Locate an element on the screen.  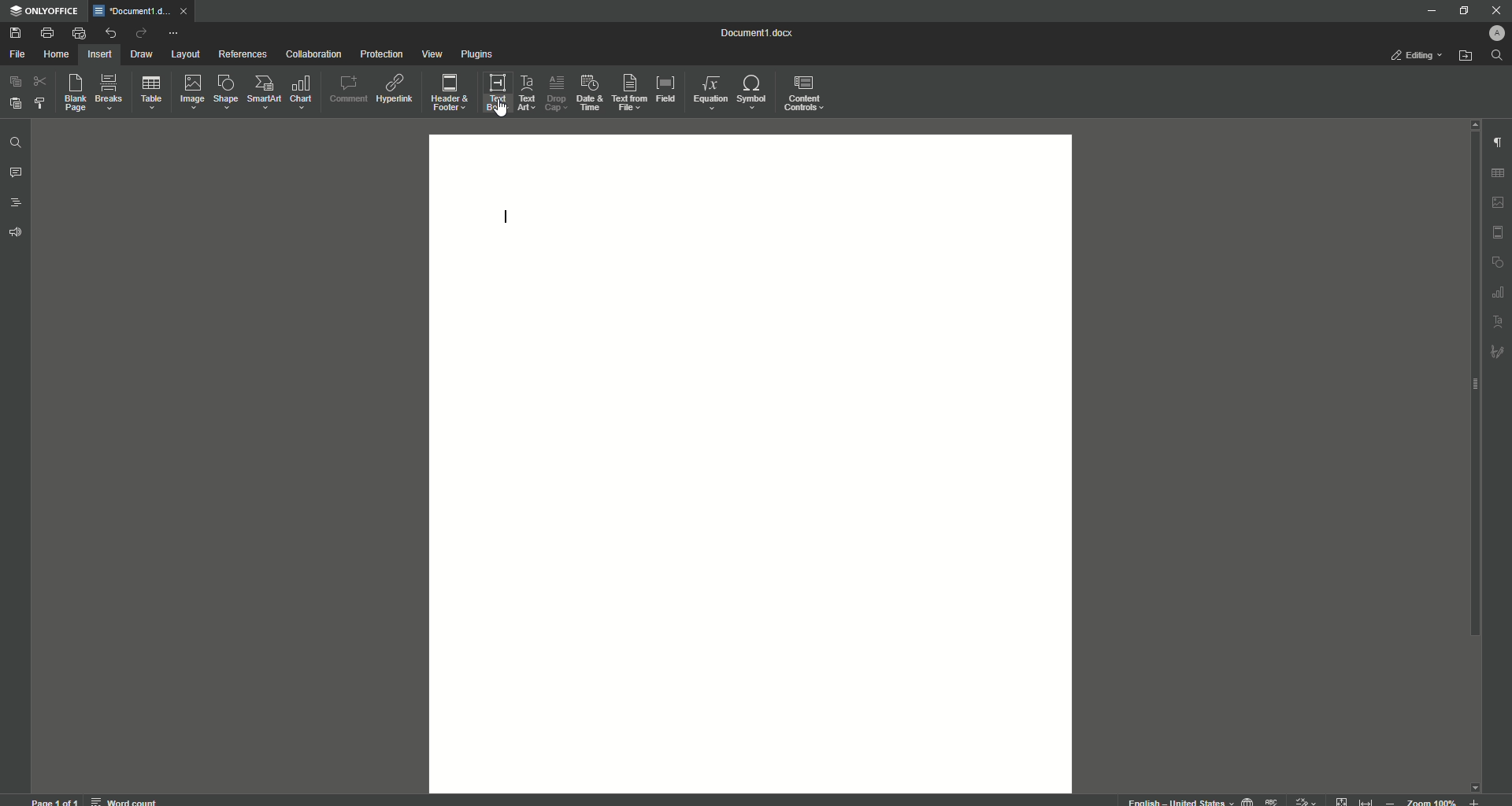
signature is located at coordinates (1498, 353).